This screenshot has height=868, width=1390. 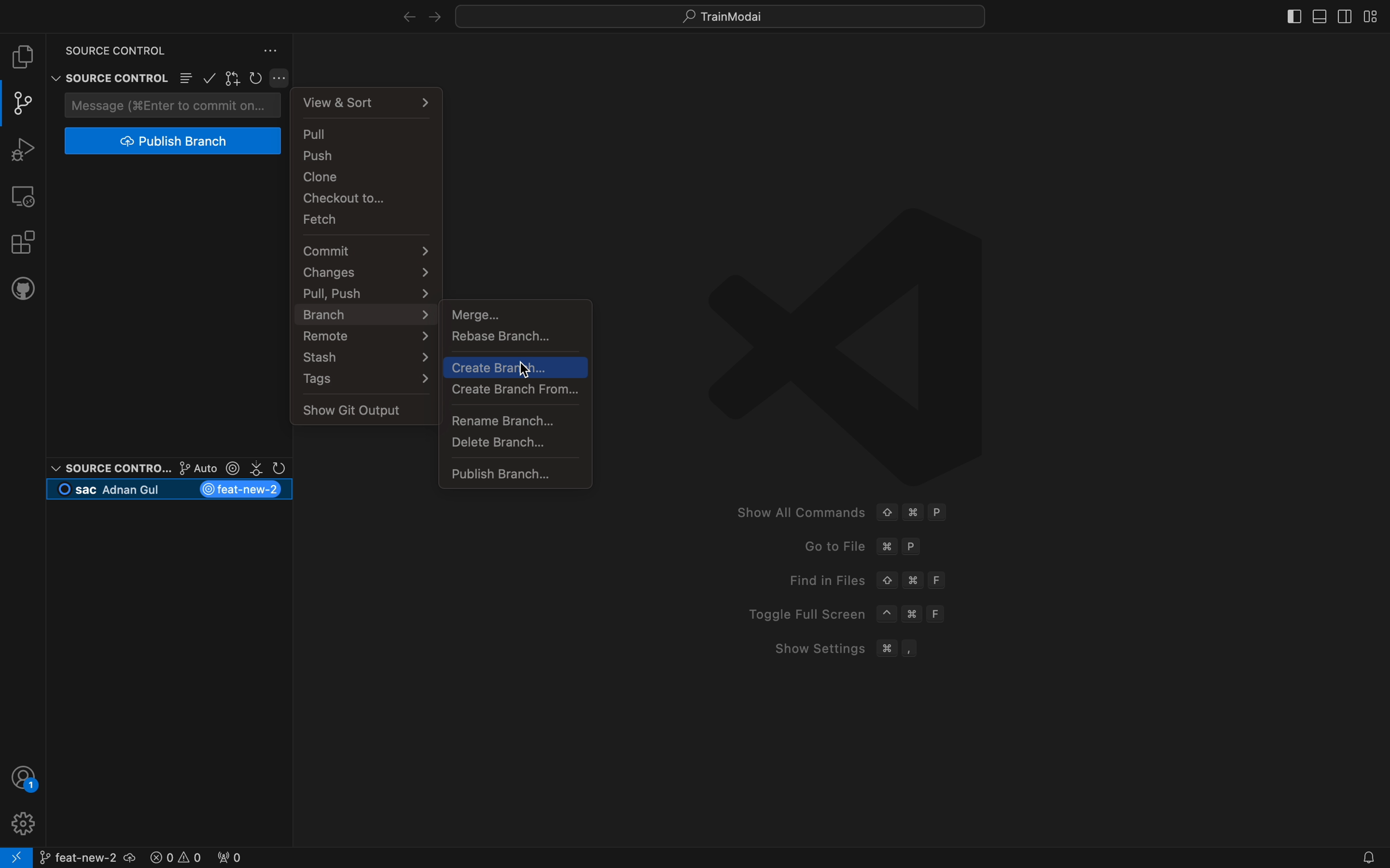 What do you see at coordinates (23, 287) in the screenshot?
I see `github` at bounding box center [23, 287].